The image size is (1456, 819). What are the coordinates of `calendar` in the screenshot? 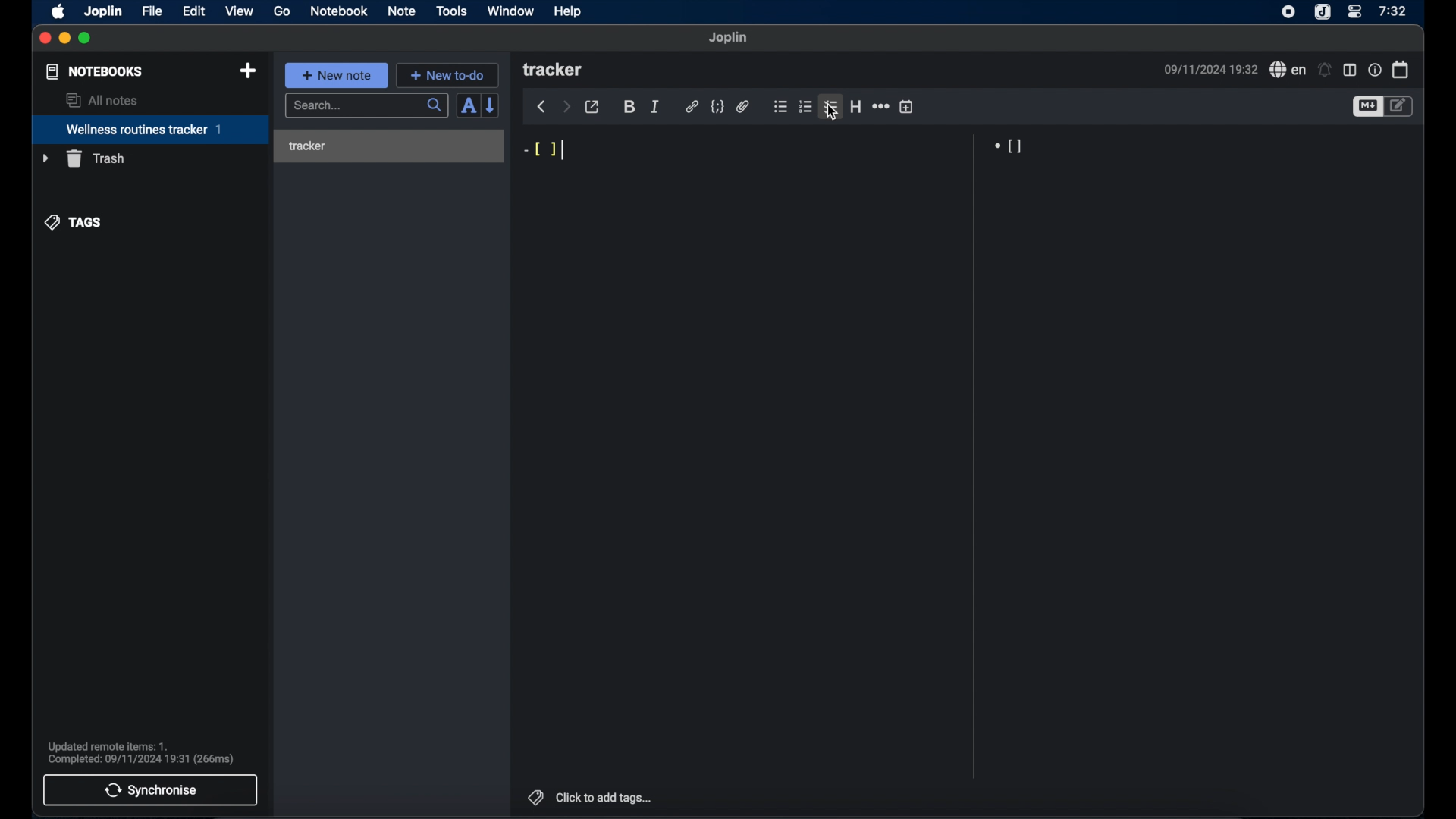 It's located at (1401, 69).